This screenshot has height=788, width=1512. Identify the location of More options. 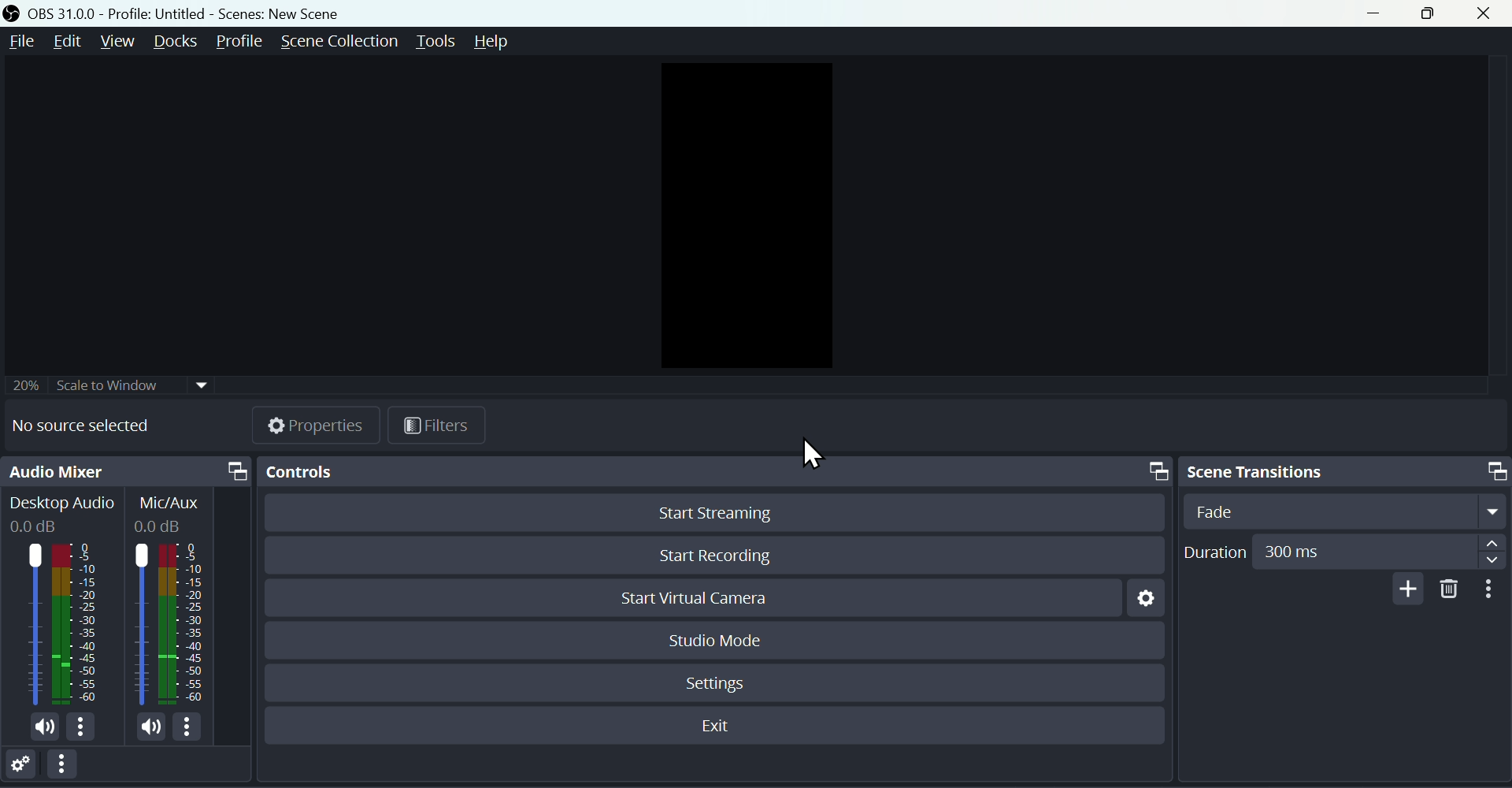
(1492, 589).